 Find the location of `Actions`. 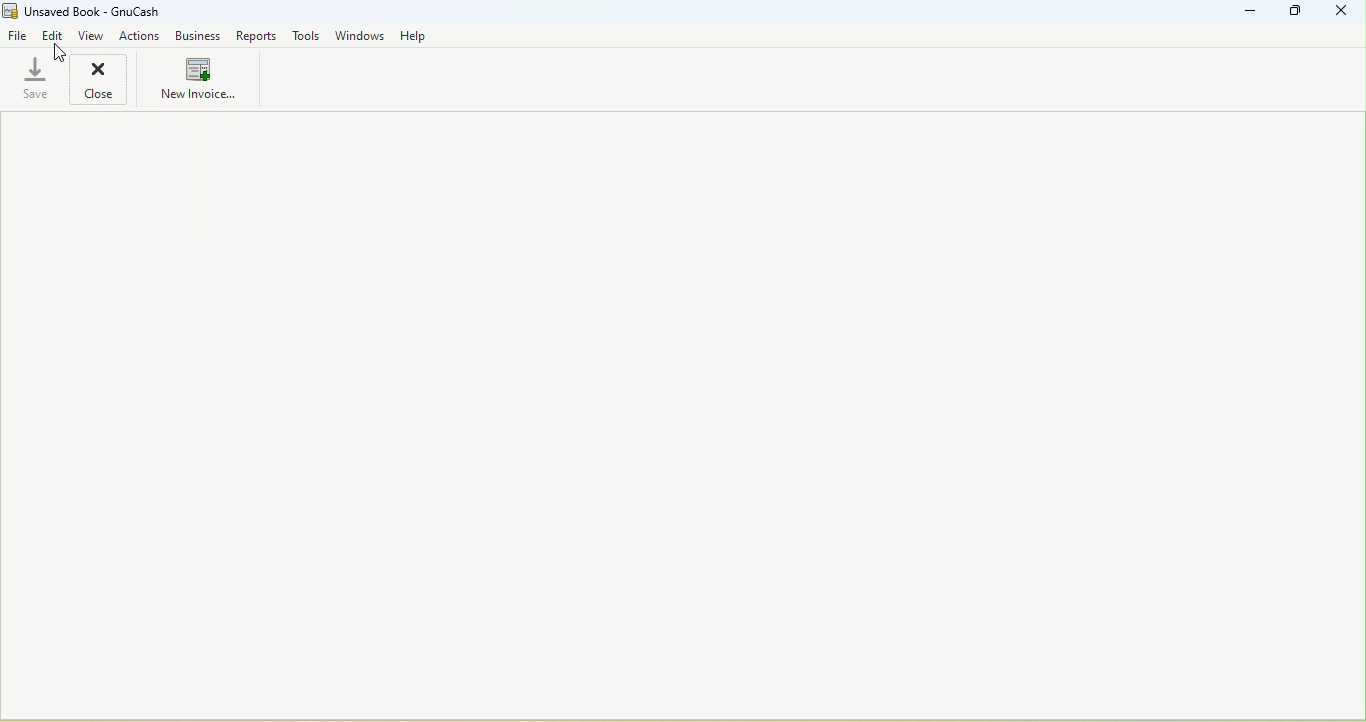

Actions is located at coordinates (141, 37).